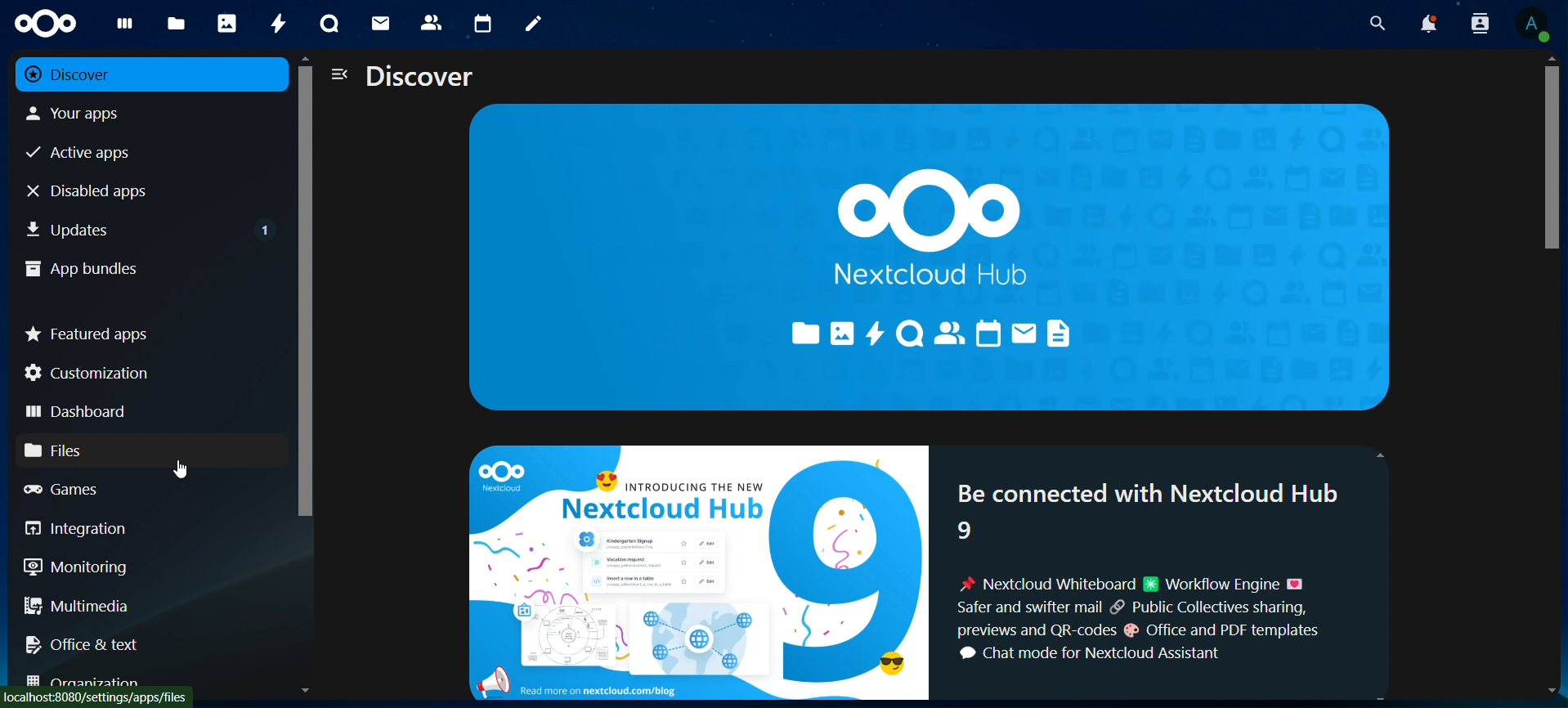 The height and width of the screenshot is (708, 1568). I want to click on mail, so click(383, 25).